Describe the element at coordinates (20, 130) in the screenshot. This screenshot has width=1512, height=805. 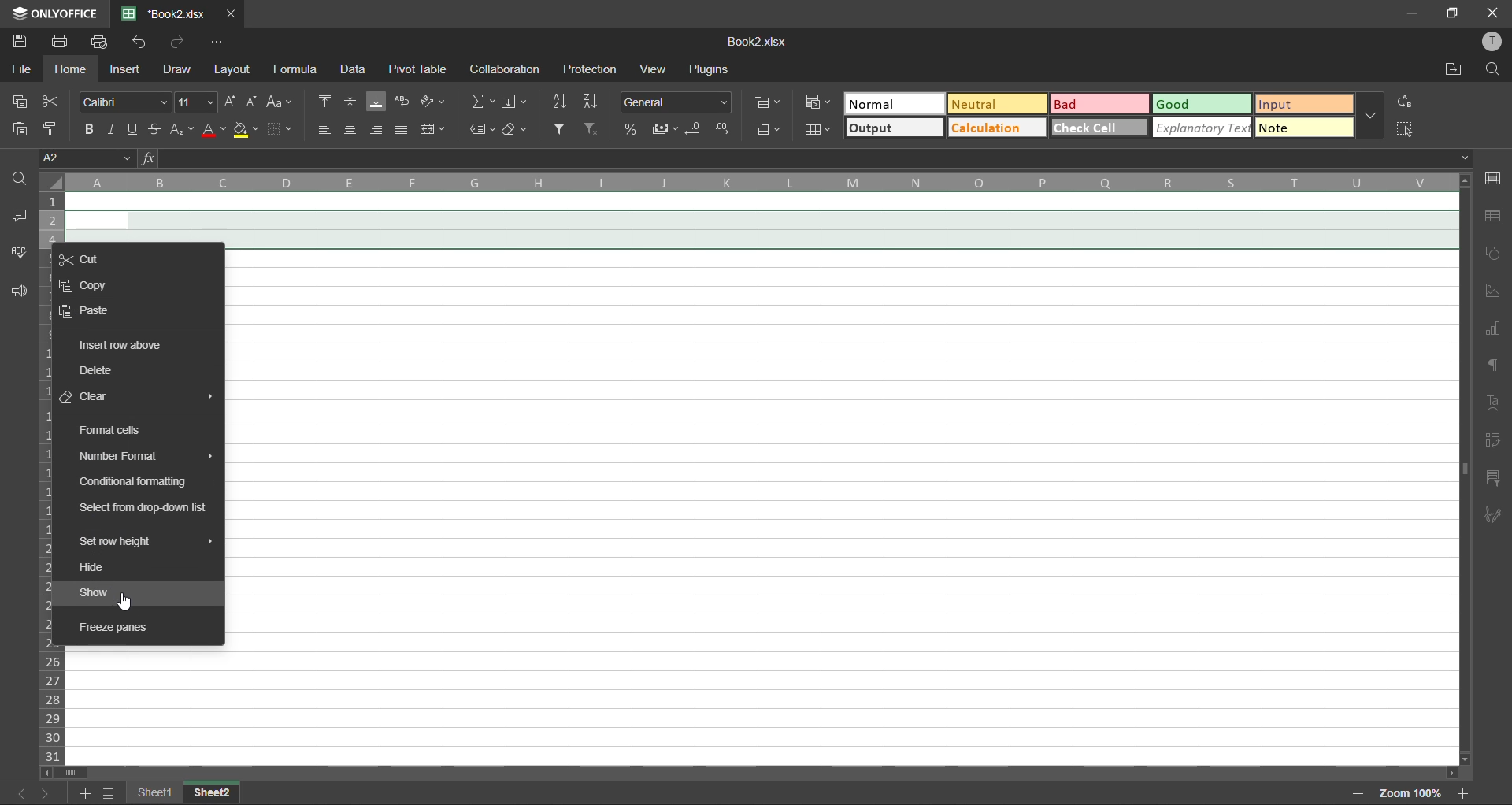
I see `paste` at that location.